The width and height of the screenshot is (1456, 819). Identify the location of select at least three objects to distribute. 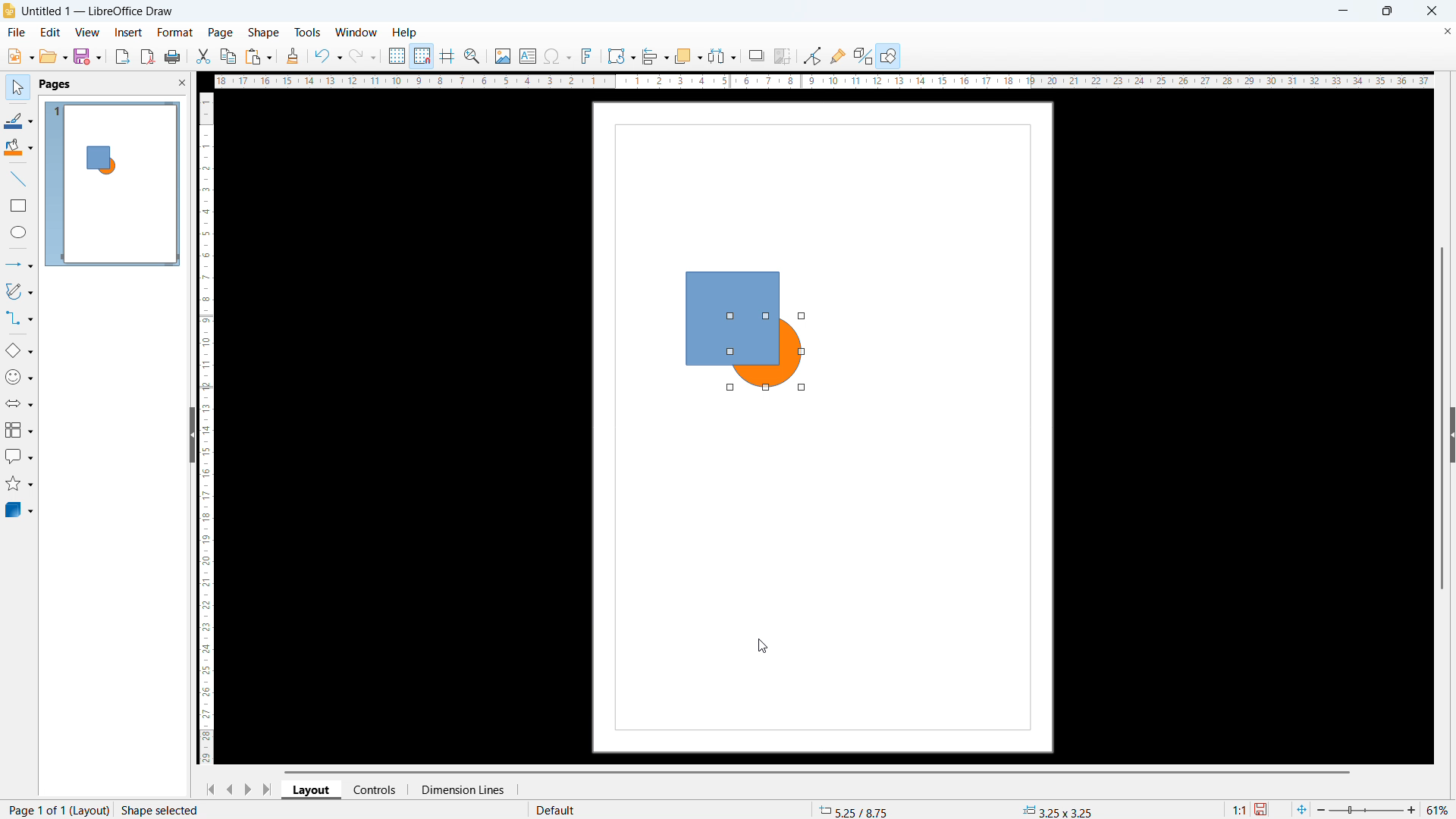
(723, 56).